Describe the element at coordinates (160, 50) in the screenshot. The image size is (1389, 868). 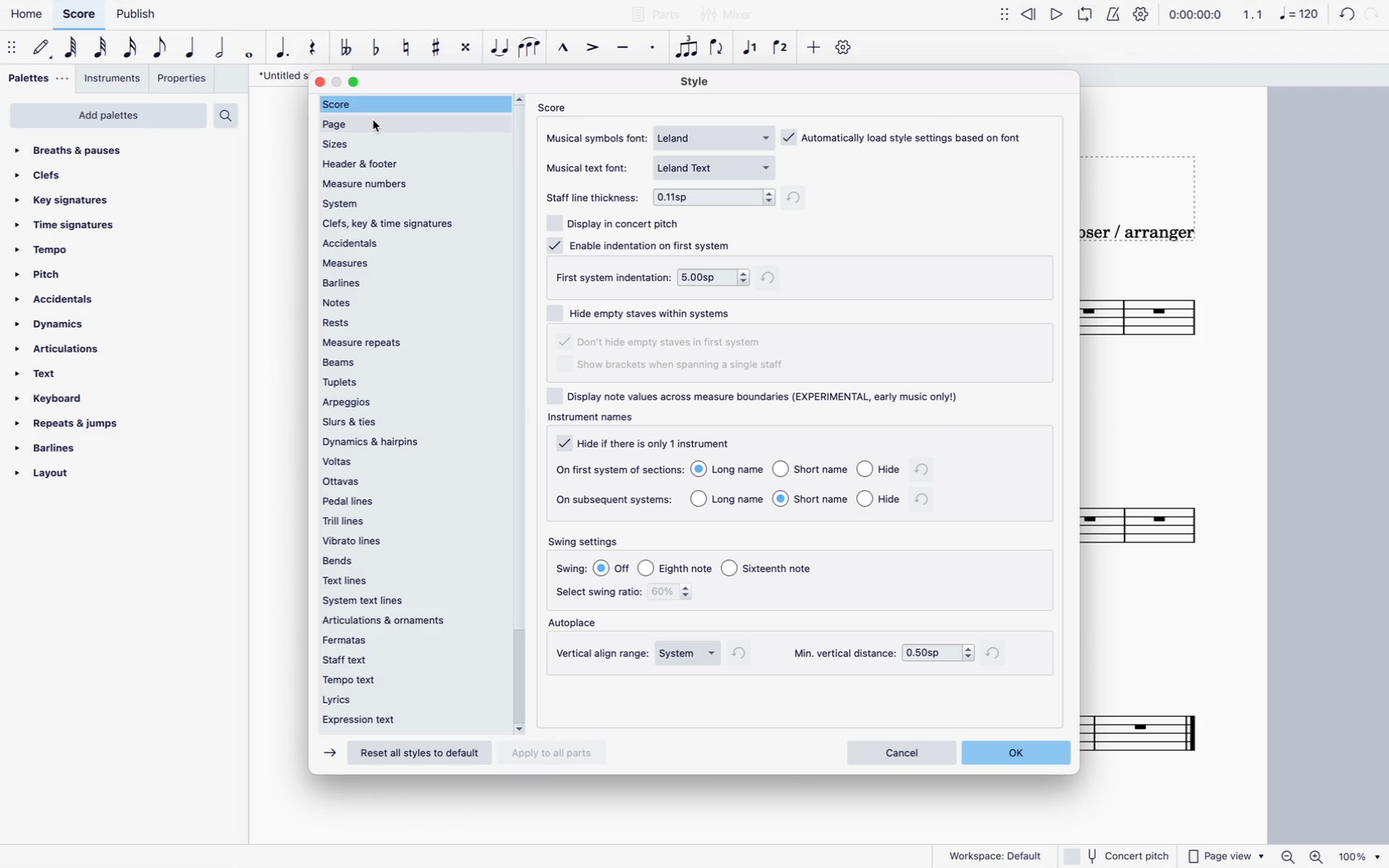
I see `eight note` at that location.